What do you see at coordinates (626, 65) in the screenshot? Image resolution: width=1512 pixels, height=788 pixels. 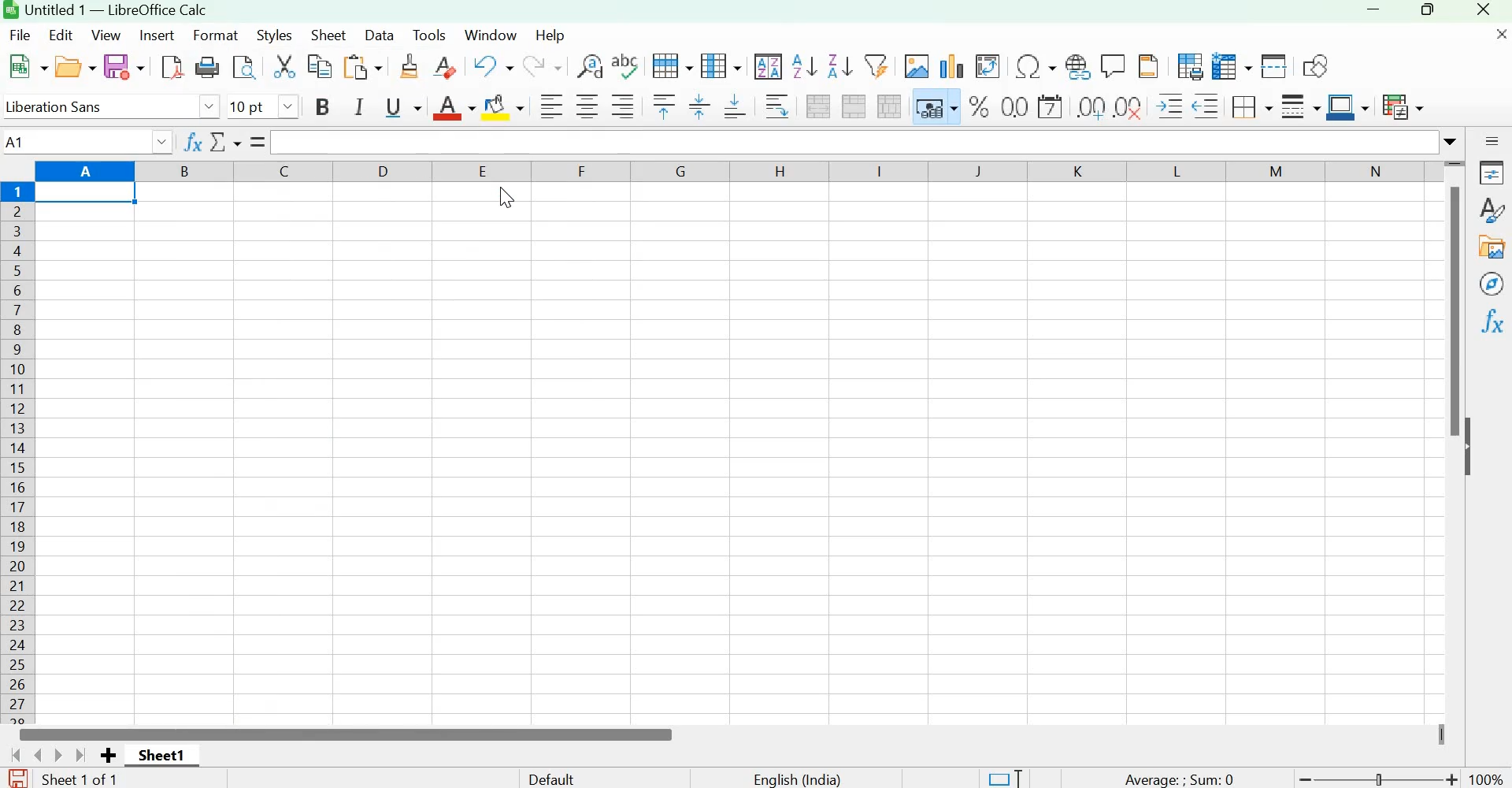 I see `Spelling` at bounding box center [626, 65].